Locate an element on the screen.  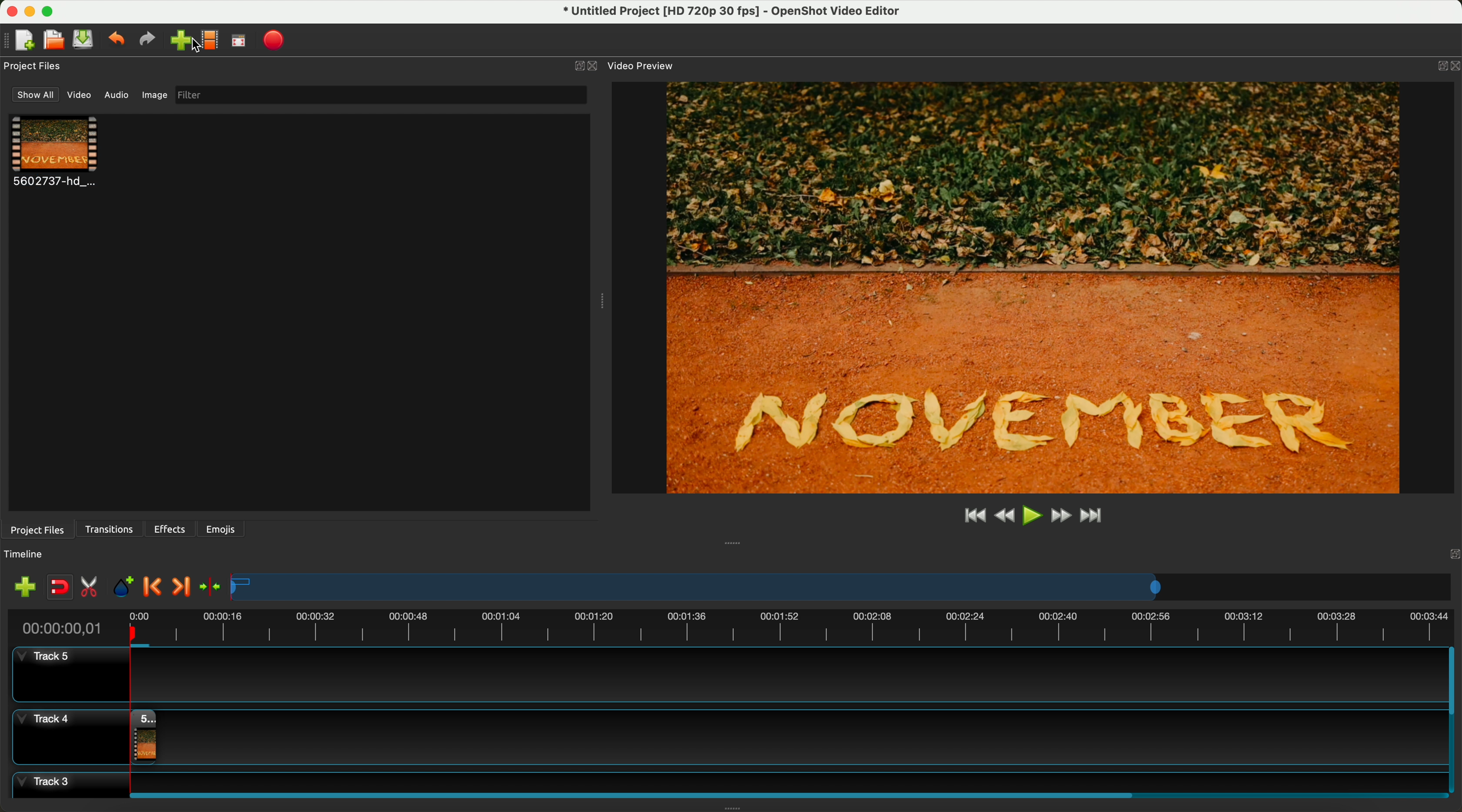
project files is located at coordinates (34, 66).